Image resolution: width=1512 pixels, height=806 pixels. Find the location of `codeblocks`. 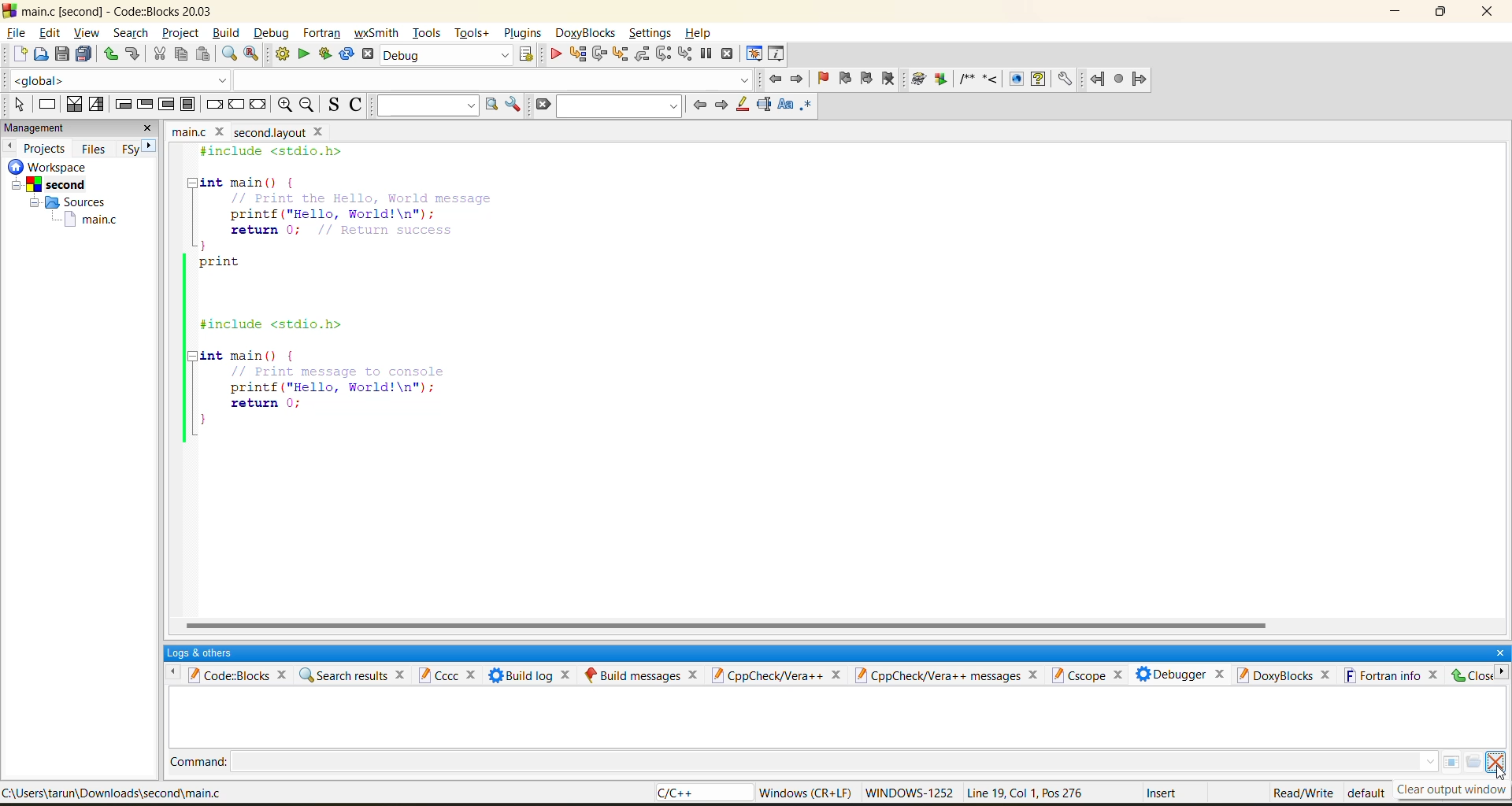

codeblocks is located at coordinates (241, 676).